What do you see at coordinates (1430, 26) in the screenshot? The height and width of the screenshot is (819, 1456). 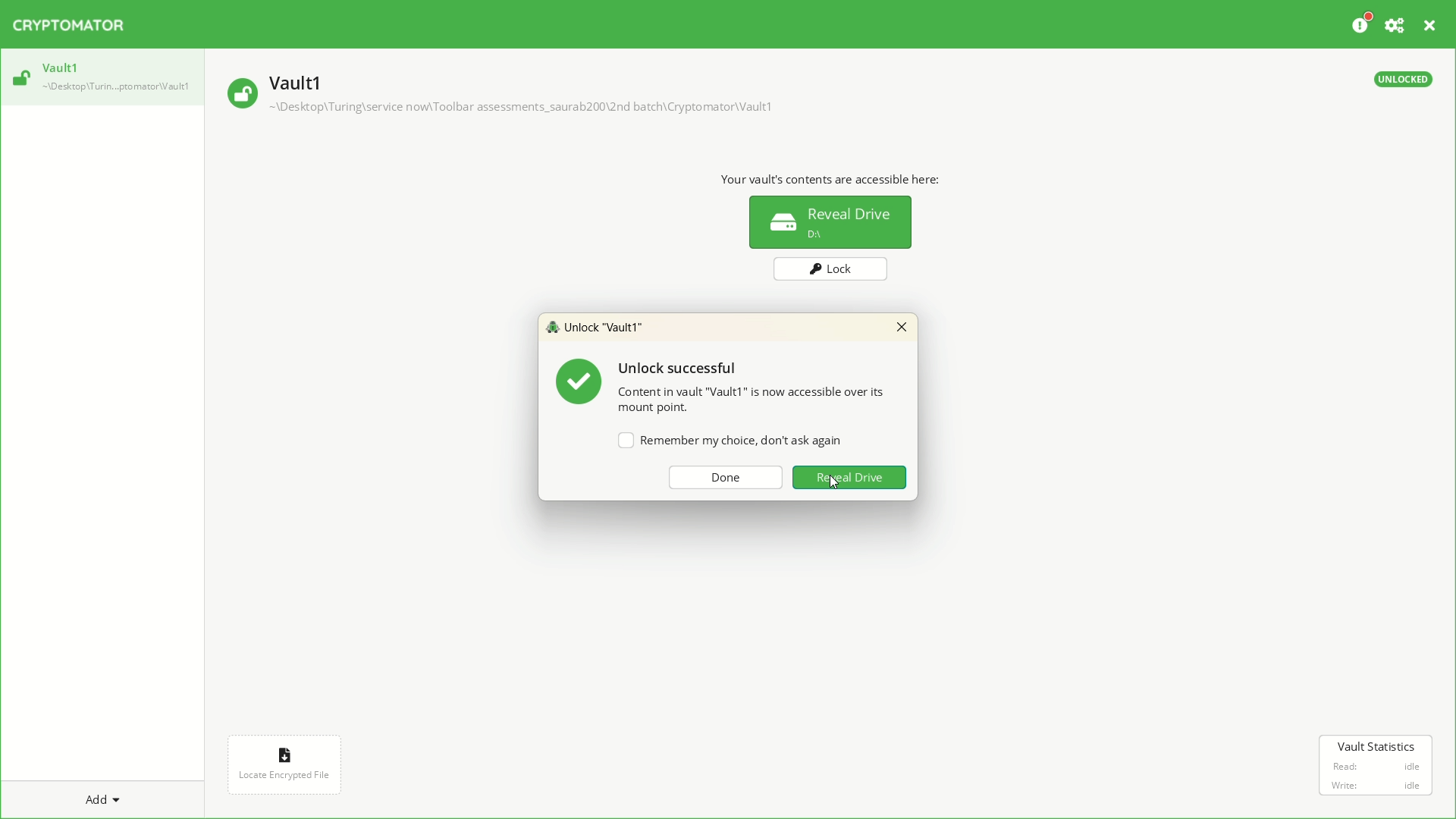 I see `CLOSE` at bounding box center [1430, 26].